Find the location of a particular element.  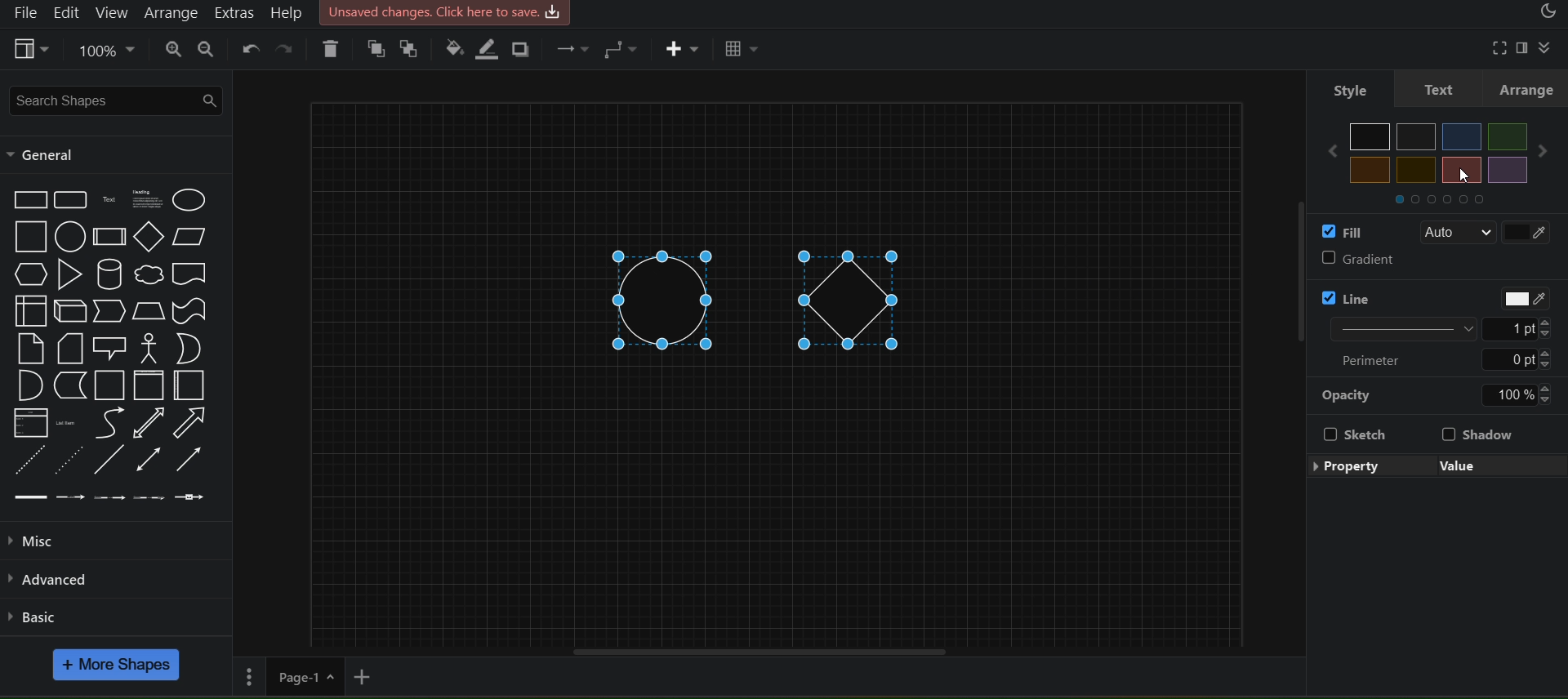

Or is located at coordinates (188, 348).